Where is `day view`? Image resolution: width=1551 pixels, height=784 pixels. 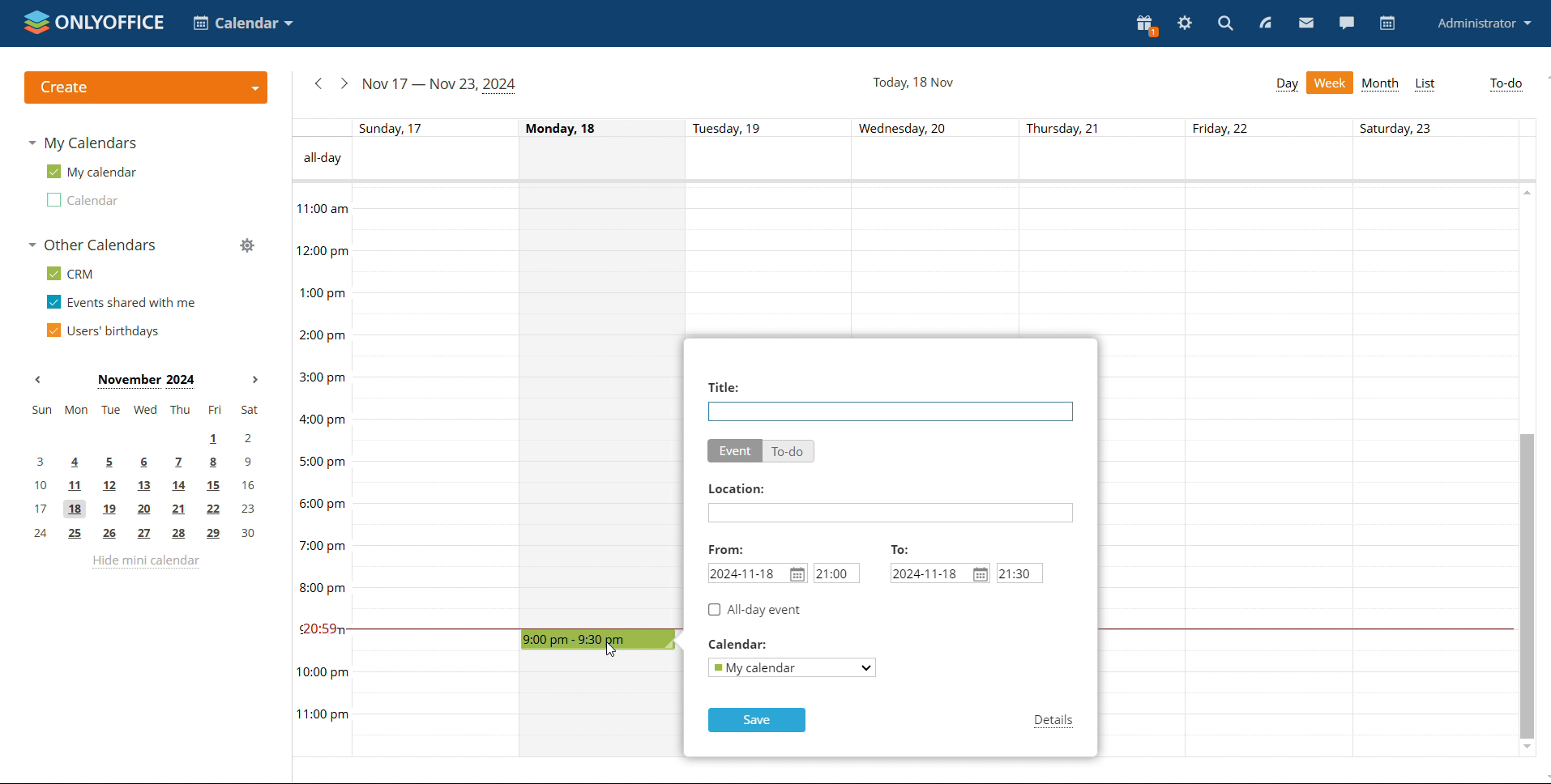
day view is located at coordinates (1288, 83).